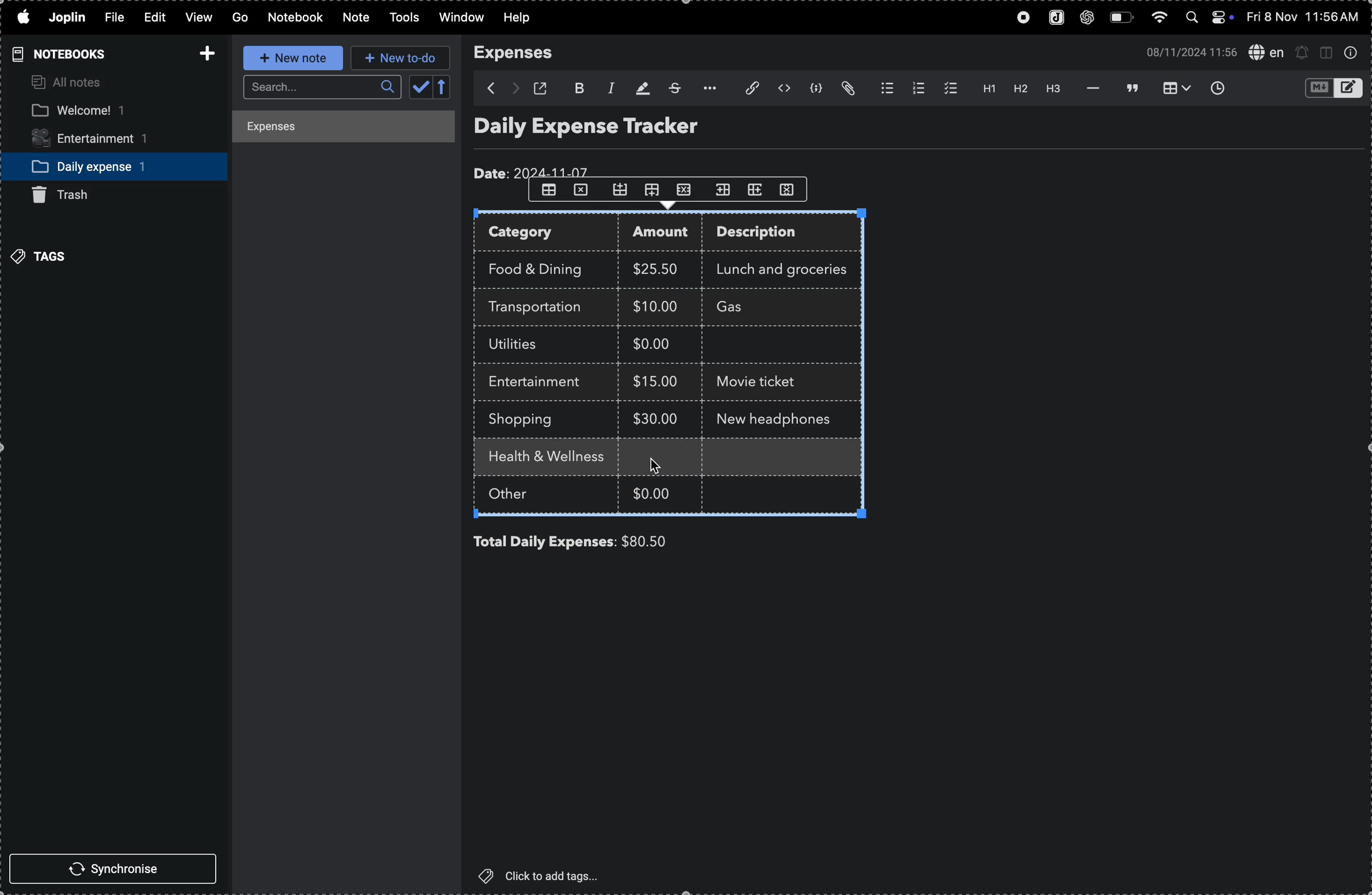 The height and width of the screenshot is (895, 1372). What do you see at coordinates (793, 189) in the screenshot?
I see `delete coloumn` at bounding box center [793, 189].